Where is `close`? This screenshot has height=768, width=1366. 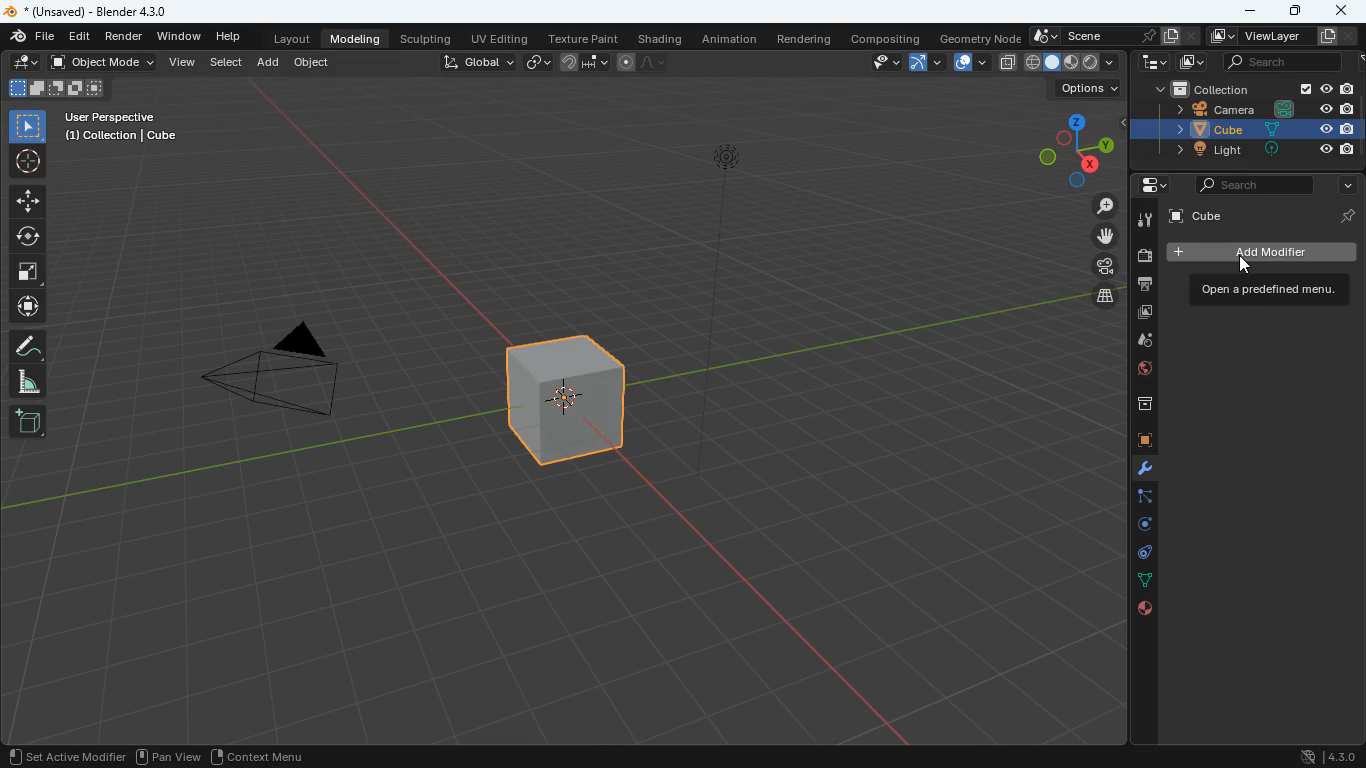
close is located at coordinates (1343, 10).